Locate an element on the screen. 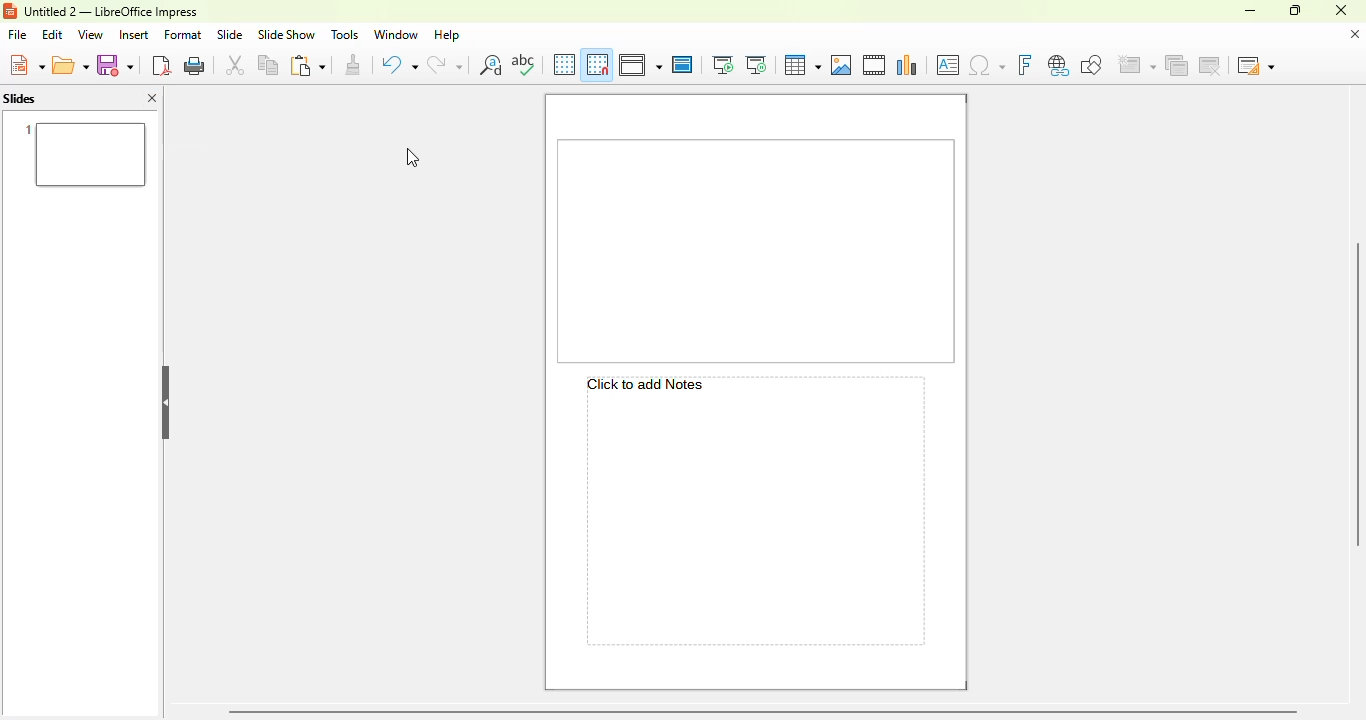  save is located at coordinates (115, 64).